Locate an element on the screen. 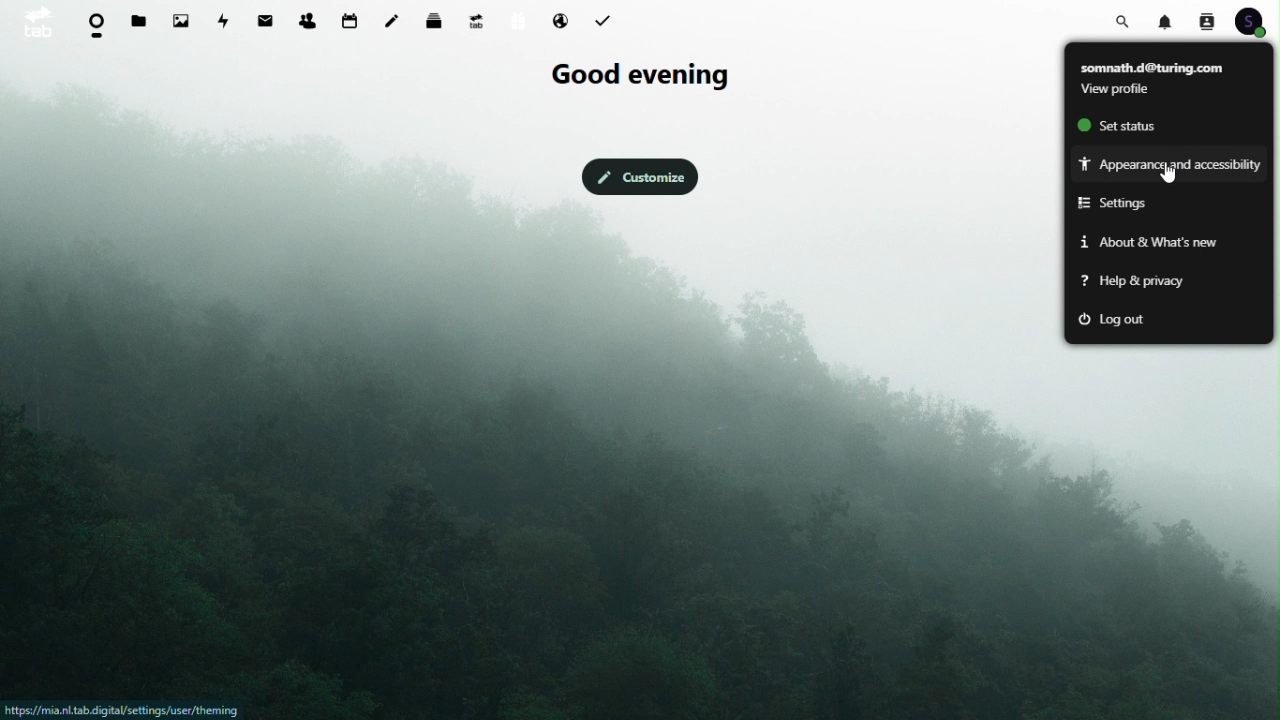 The width and height of the screenshot is (1280, 720). Photos is located at coordinates (181, 20).